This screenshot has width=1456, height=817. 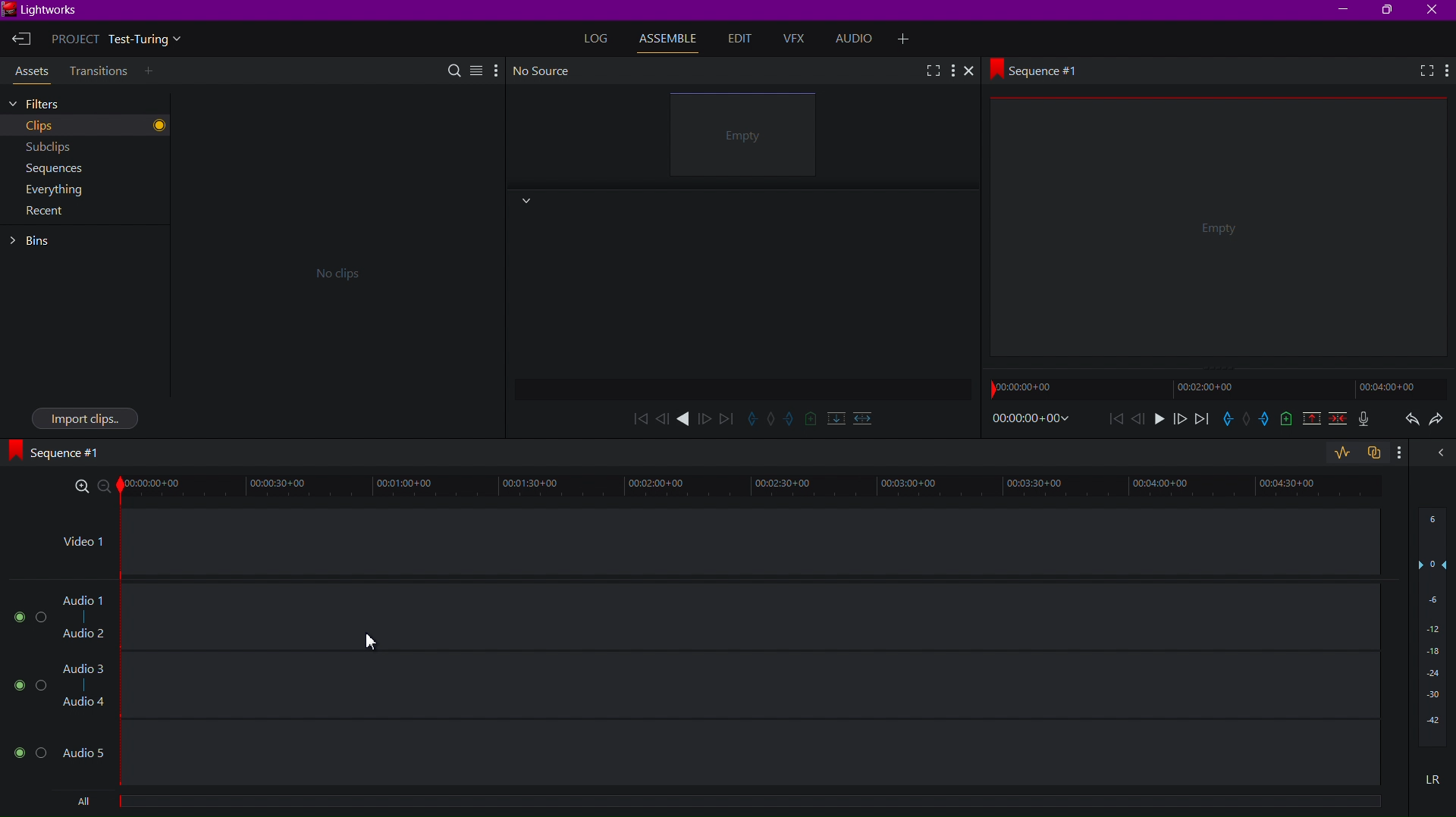 What do you see at coordinates (1201, 421) in the screenshot?
I see `end` at bounding box center [1201, 421].